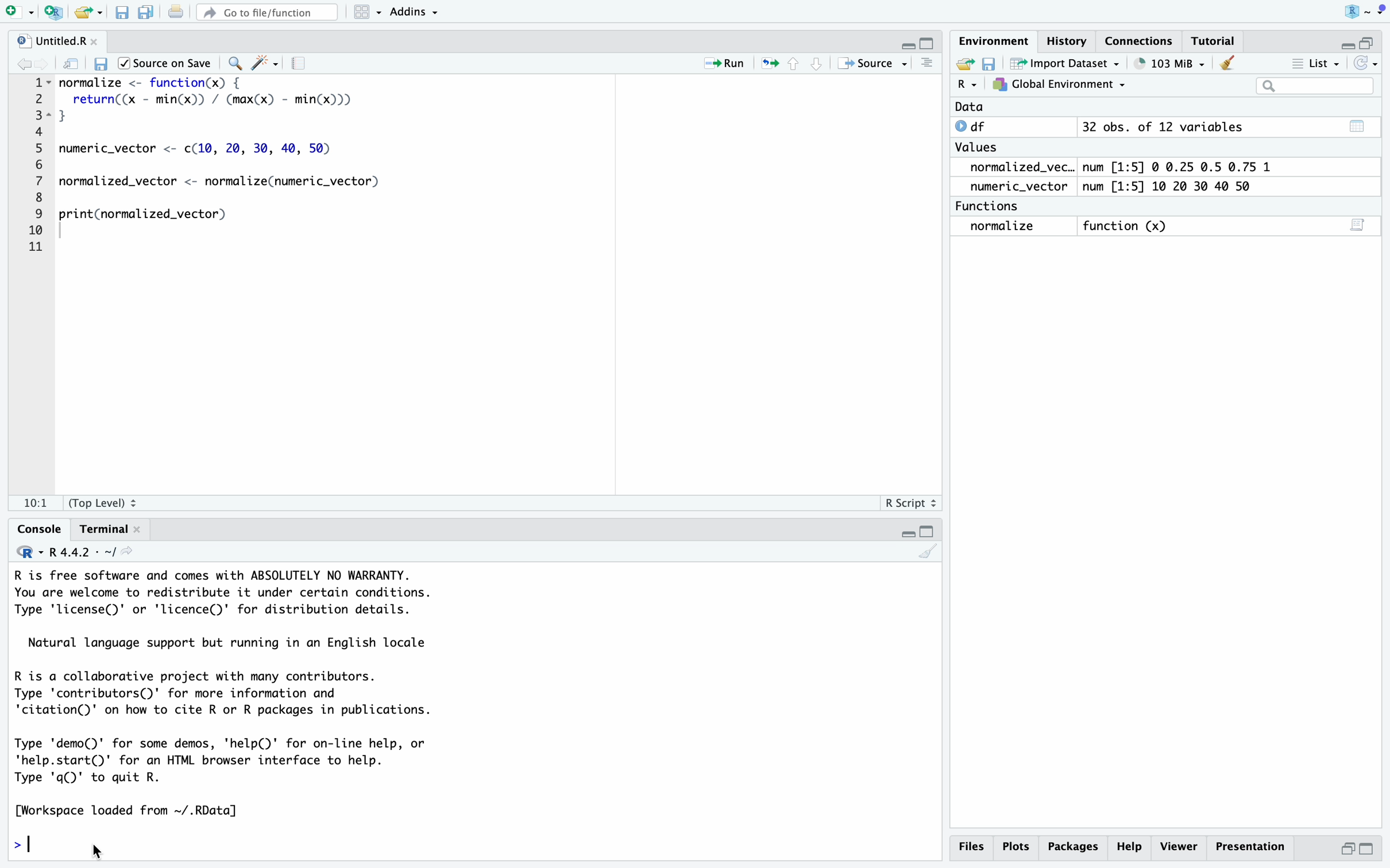 The height and width of the screenshot is (868, 1390). Describe the element at coordinates (728, 63) in the screenshot. I see `Run the current line or selection (Ctrl + Enter)` at that location.